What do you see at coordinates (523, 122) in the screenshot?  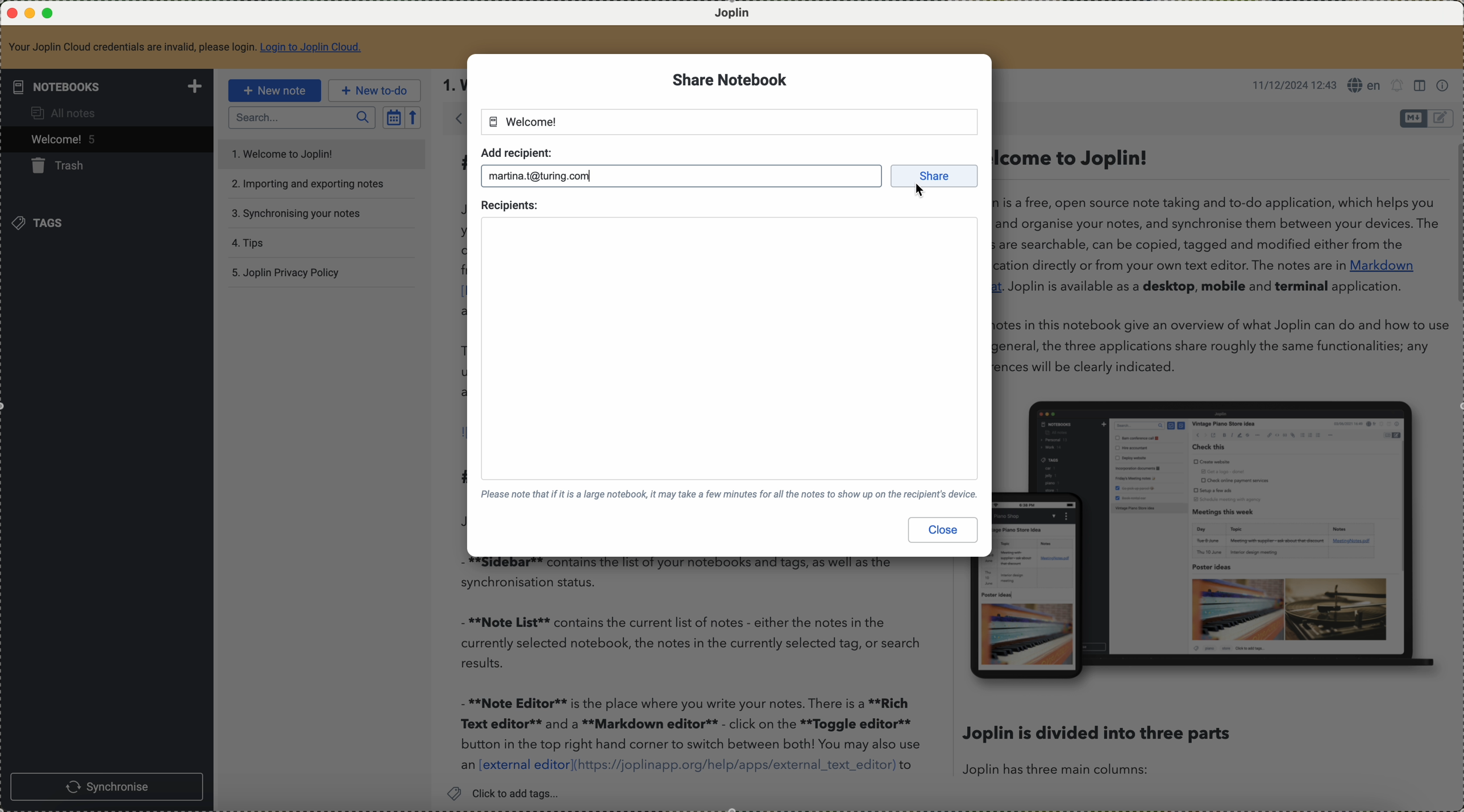 I see `welcome notebook` at bounding box center [523, 122].